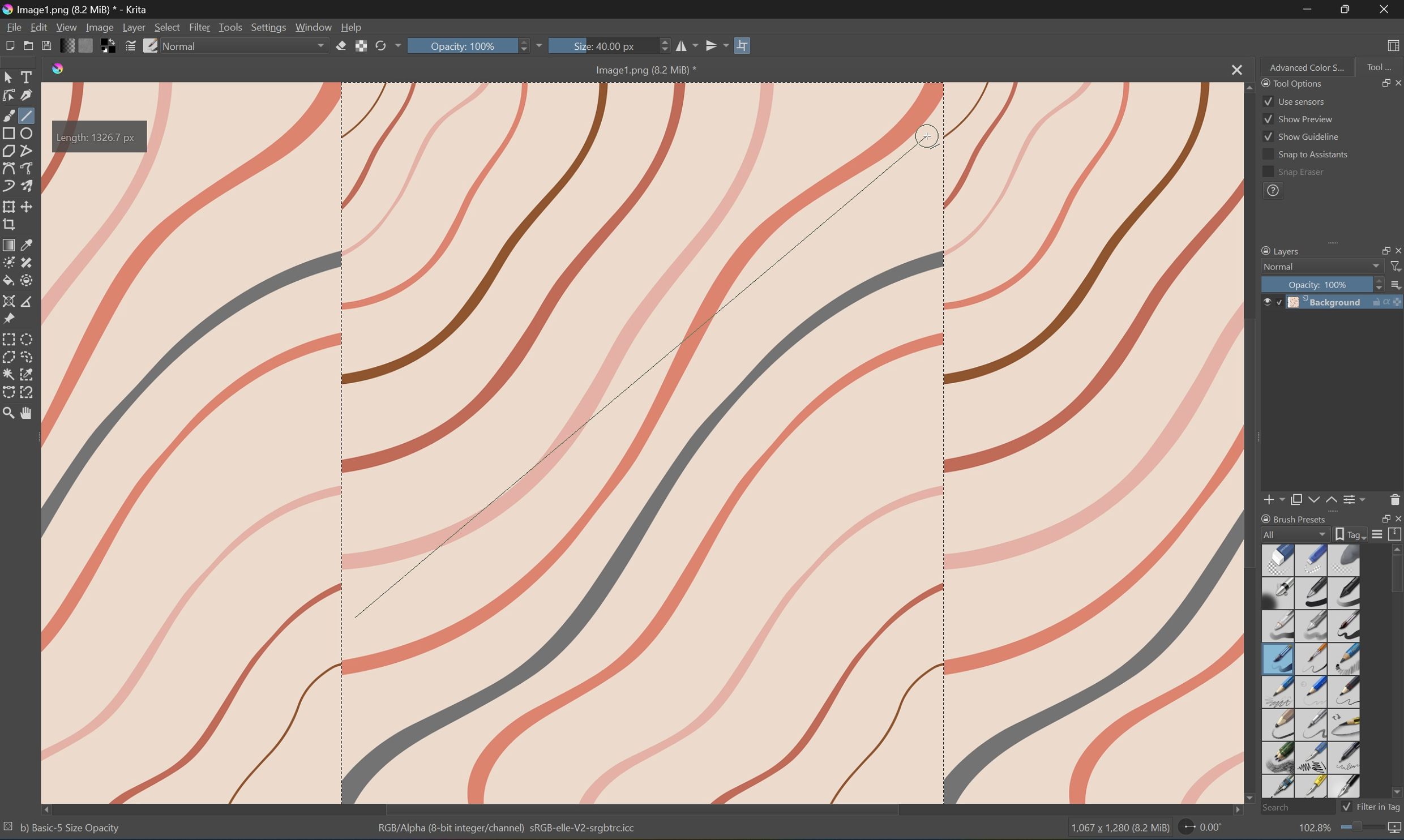 Image resolution: width=1404 pixels, height=840 pixels. I want to click on Close, so click(1234, 70).